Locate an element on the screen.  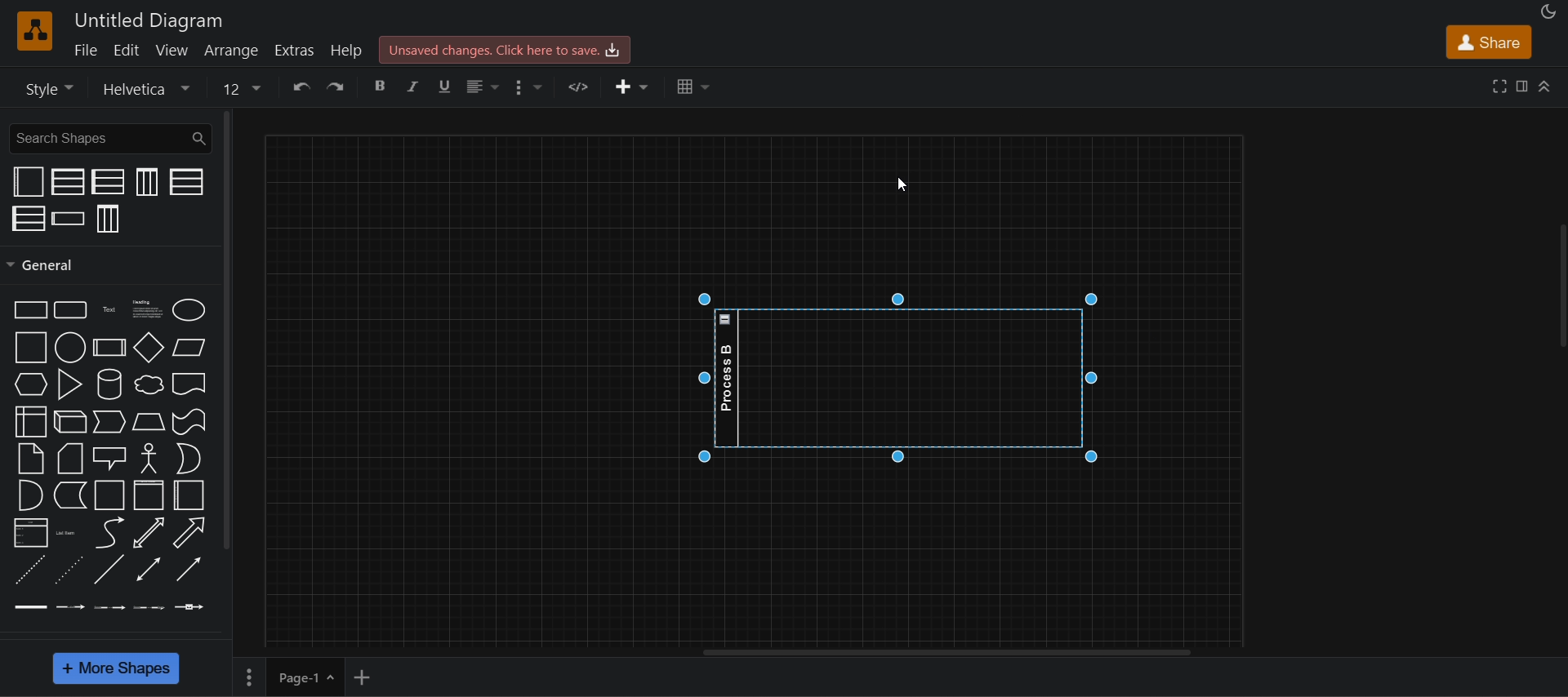
collapase/expand is located at coordinates (1545, 87).